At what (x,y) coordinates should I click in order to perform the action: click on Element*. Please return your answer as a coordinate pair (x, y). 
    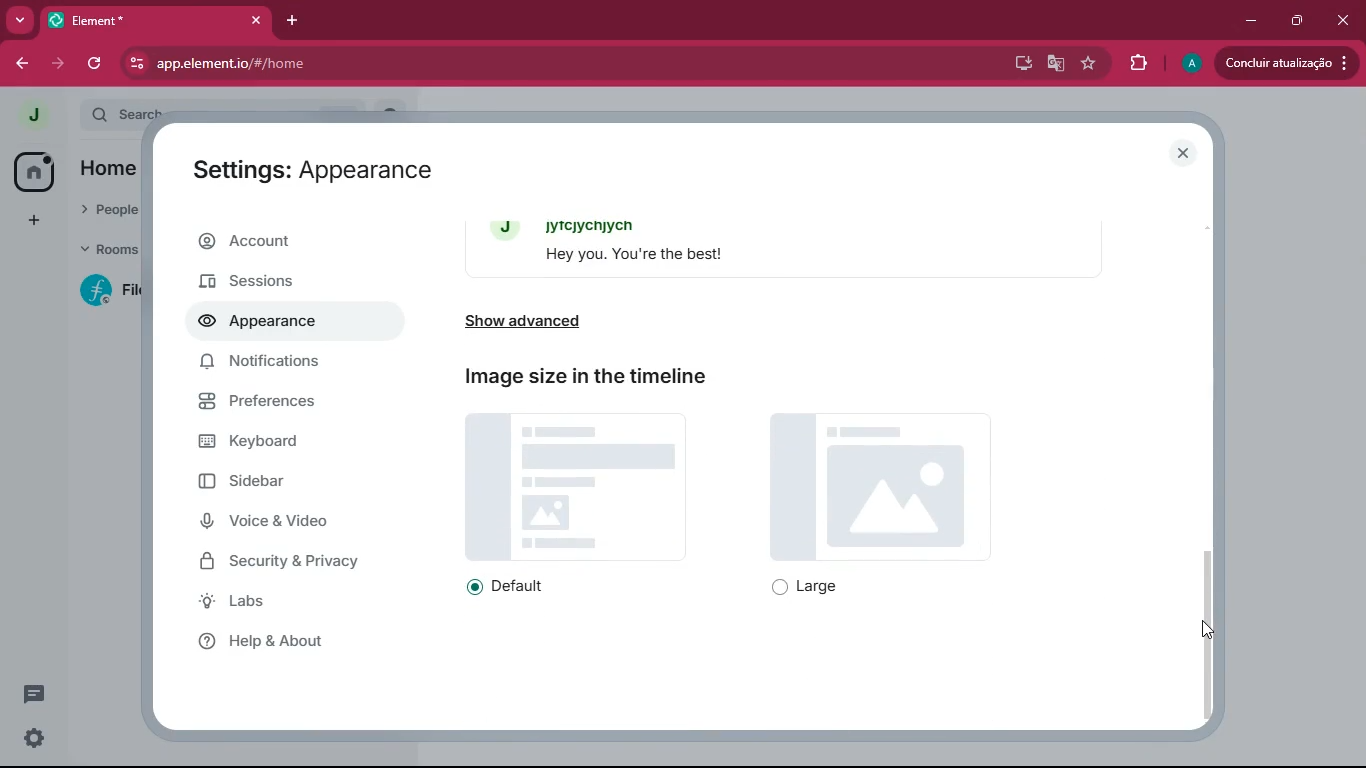
    Looking at the image, I should click on (143, 19).